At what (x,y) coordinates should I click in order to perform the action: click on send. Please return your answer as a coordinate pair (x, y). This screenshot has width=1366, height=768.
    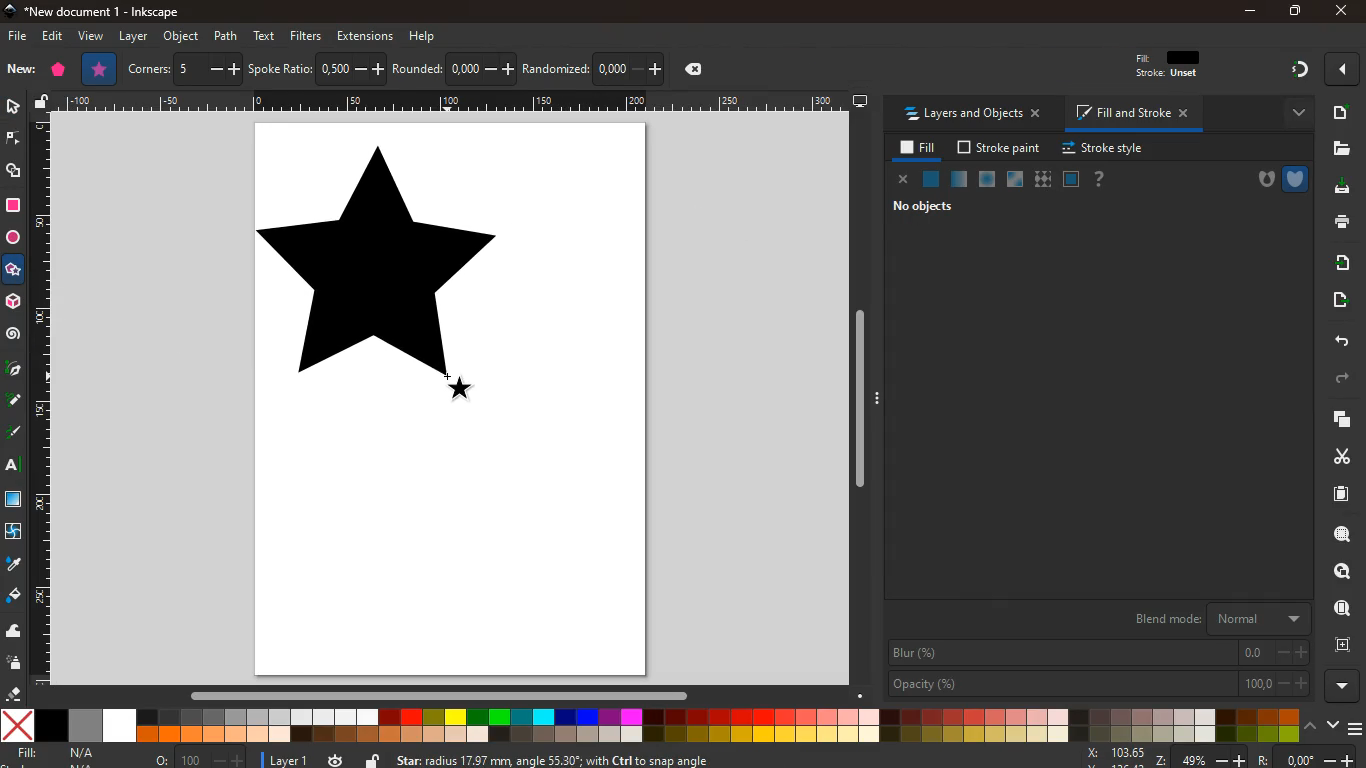
    Looking at the image, I should click on (1341, 263).